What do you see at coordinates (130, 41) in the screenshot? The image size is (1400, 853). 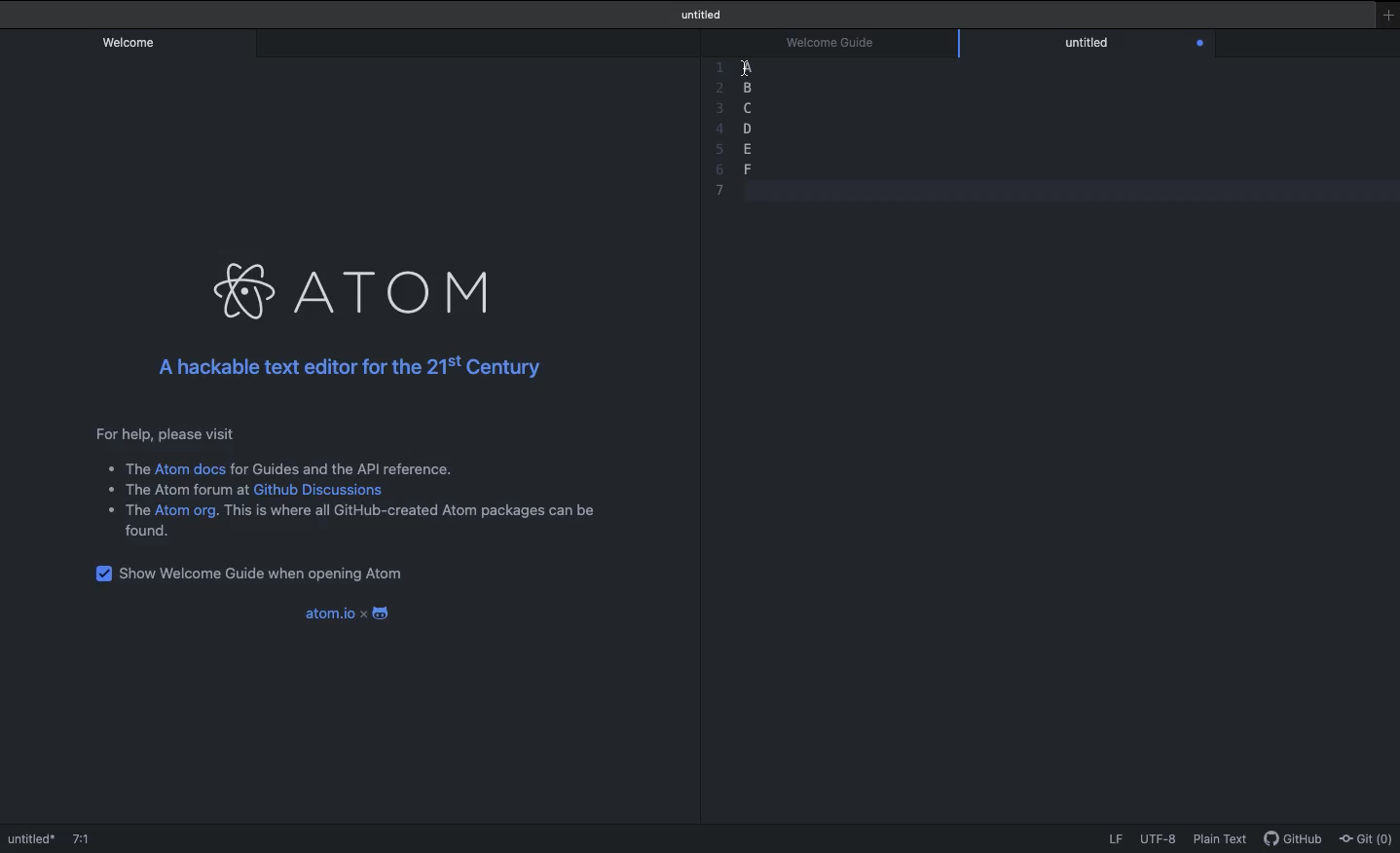 I see `Welcome` at bounding box center [130, 41].